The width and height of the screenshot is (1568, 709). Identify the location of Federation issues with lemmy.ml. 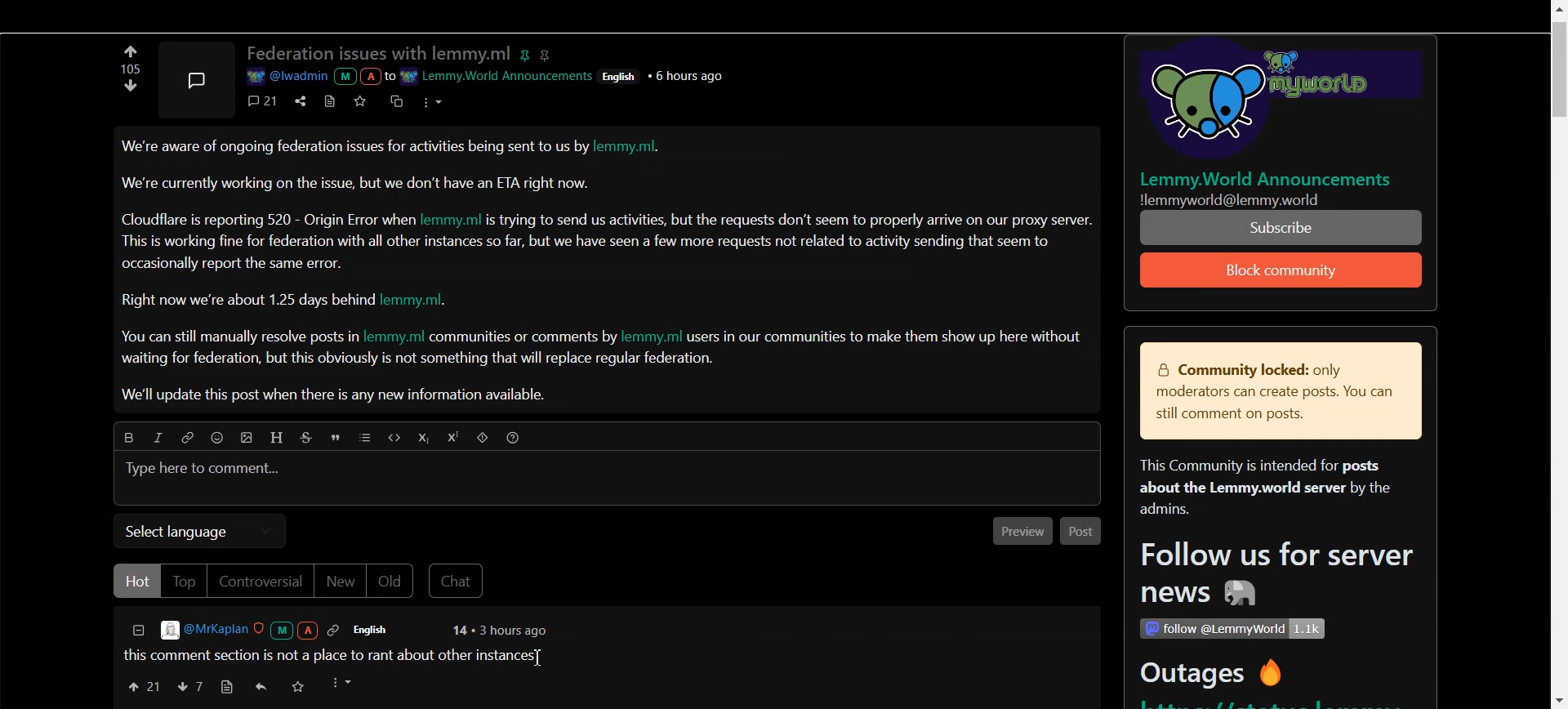
(379, 54).